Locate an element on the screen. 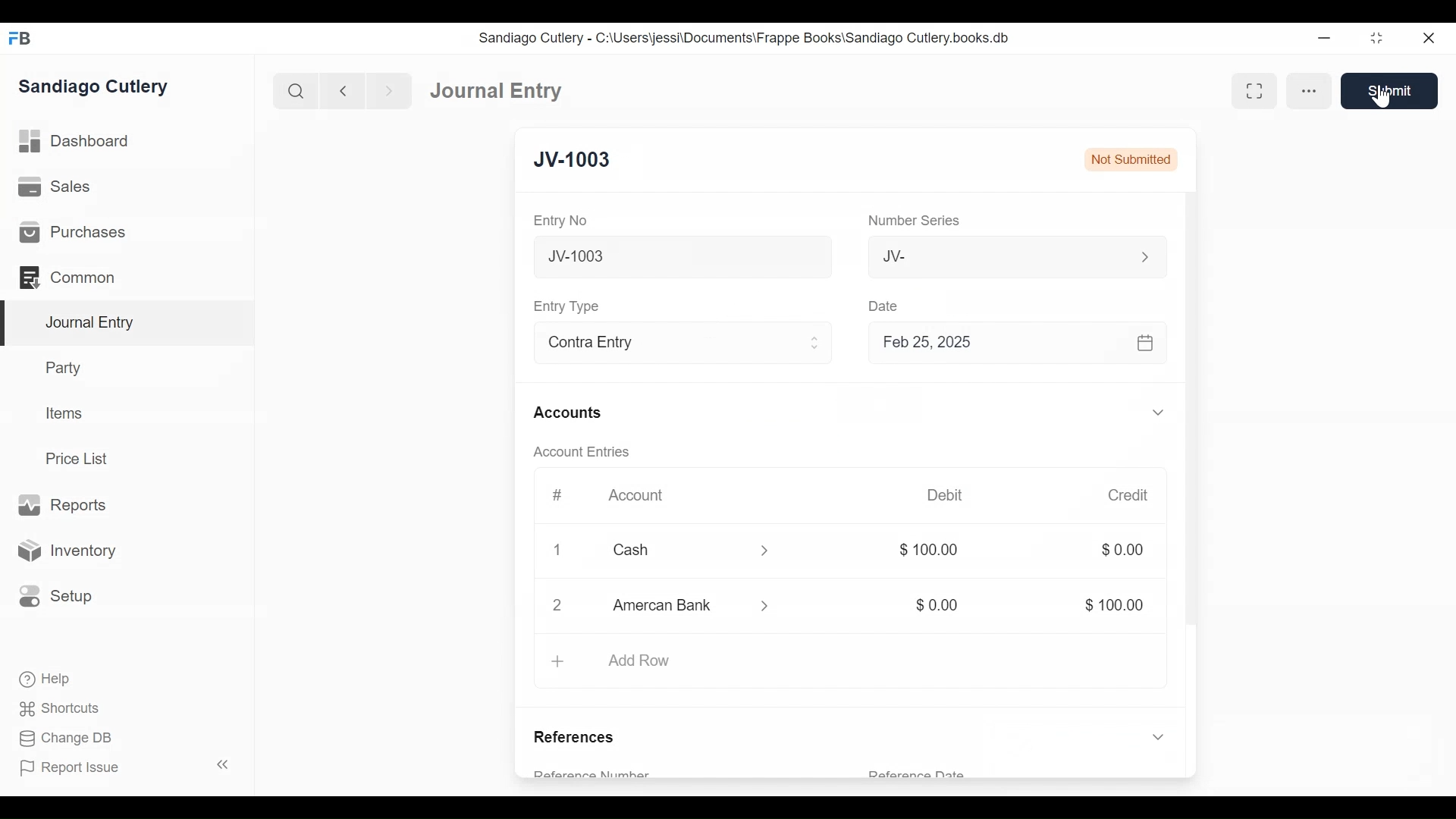  Not Submitted is located at coordinates (1130, 159).